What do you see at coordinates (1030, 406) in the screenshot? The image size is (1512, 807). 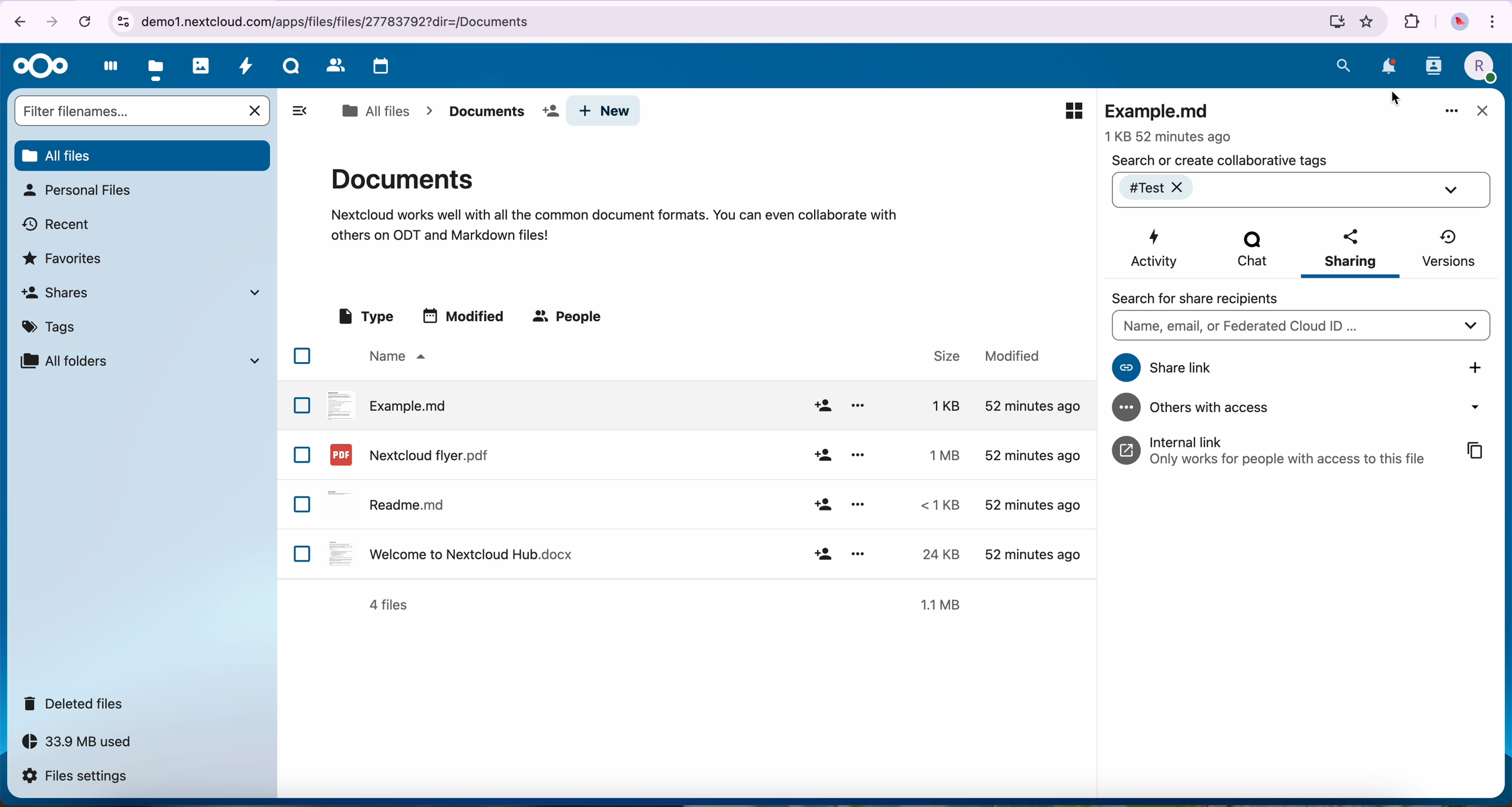 I see `modified` at bounding box center [1030, 406].